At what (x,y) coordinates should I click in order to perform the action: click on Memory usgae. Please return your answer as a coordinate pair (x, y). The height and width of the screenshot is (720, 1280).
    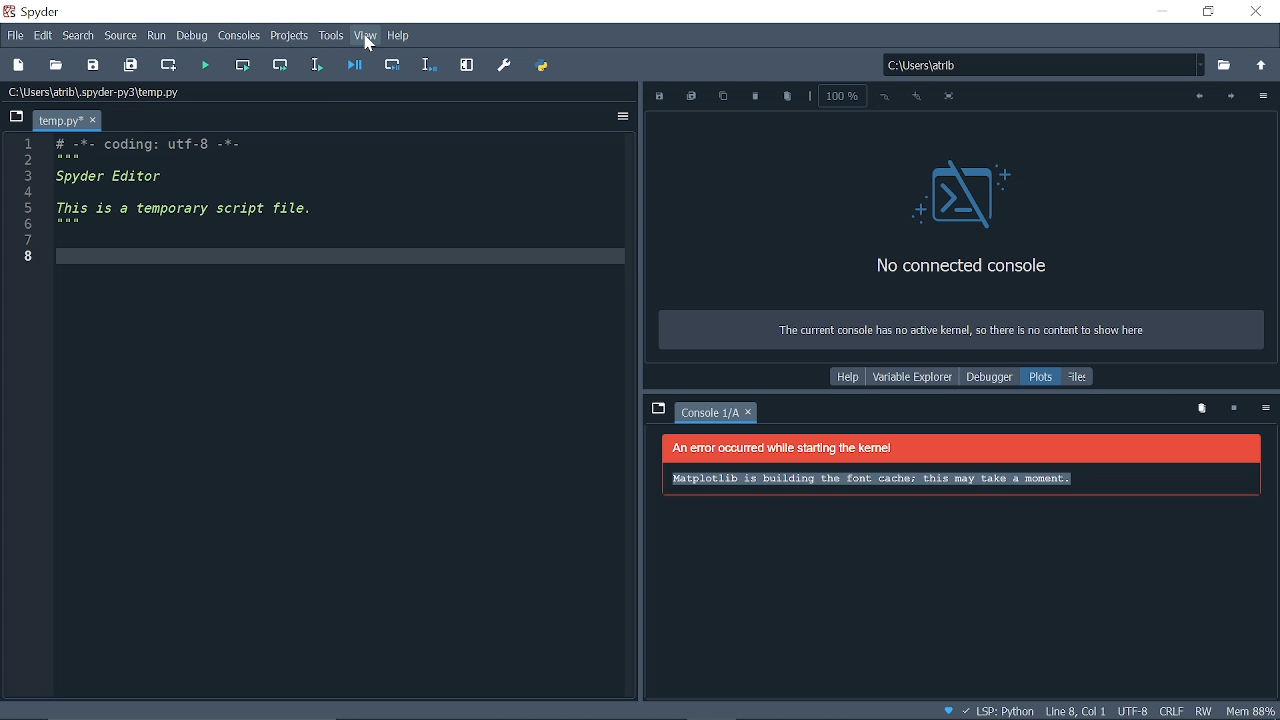
    Looking at the image, I should click on (1252, 710).